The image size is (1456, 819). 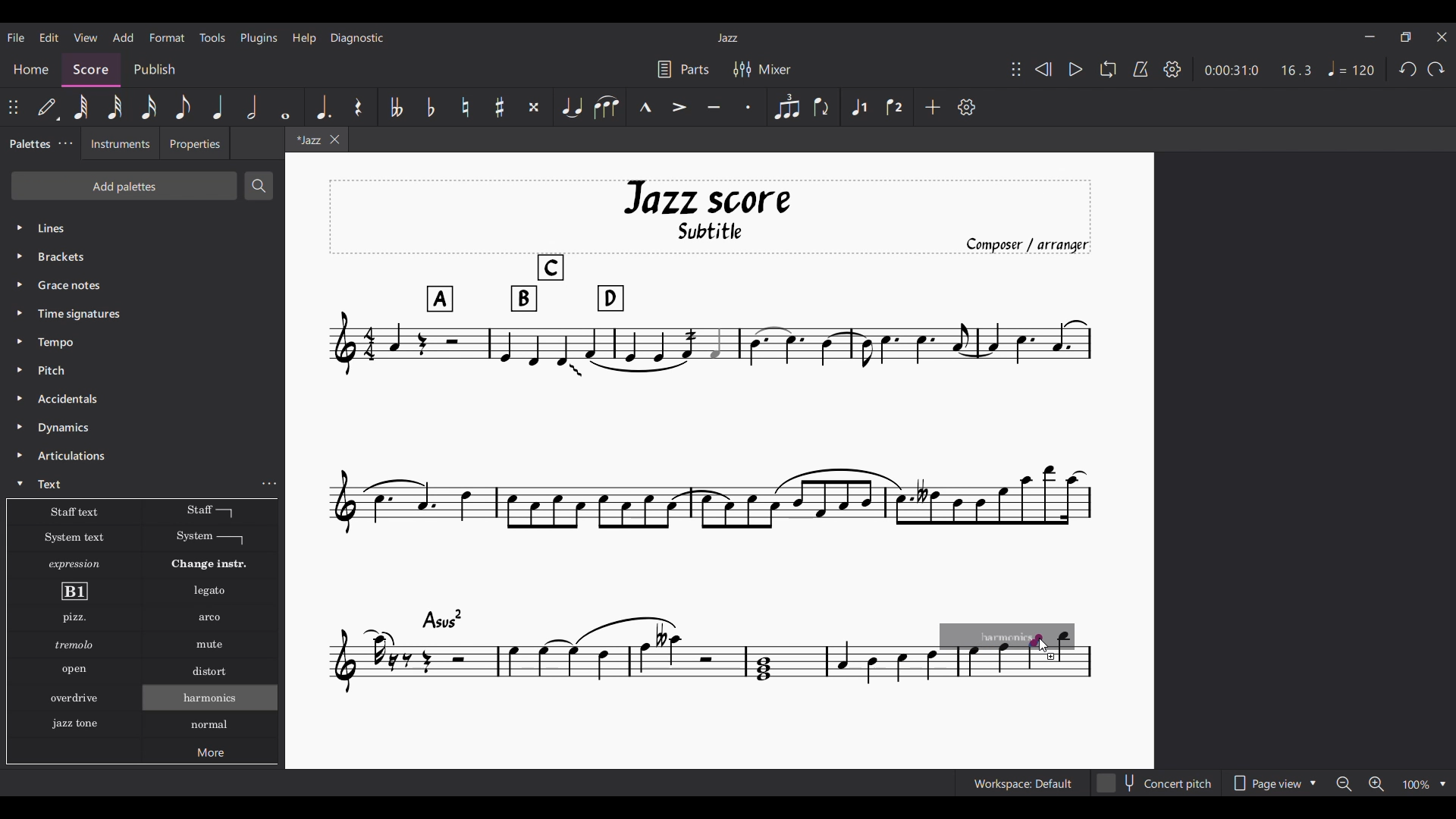 I want to click on 16th note, so click(x=149, y=107).